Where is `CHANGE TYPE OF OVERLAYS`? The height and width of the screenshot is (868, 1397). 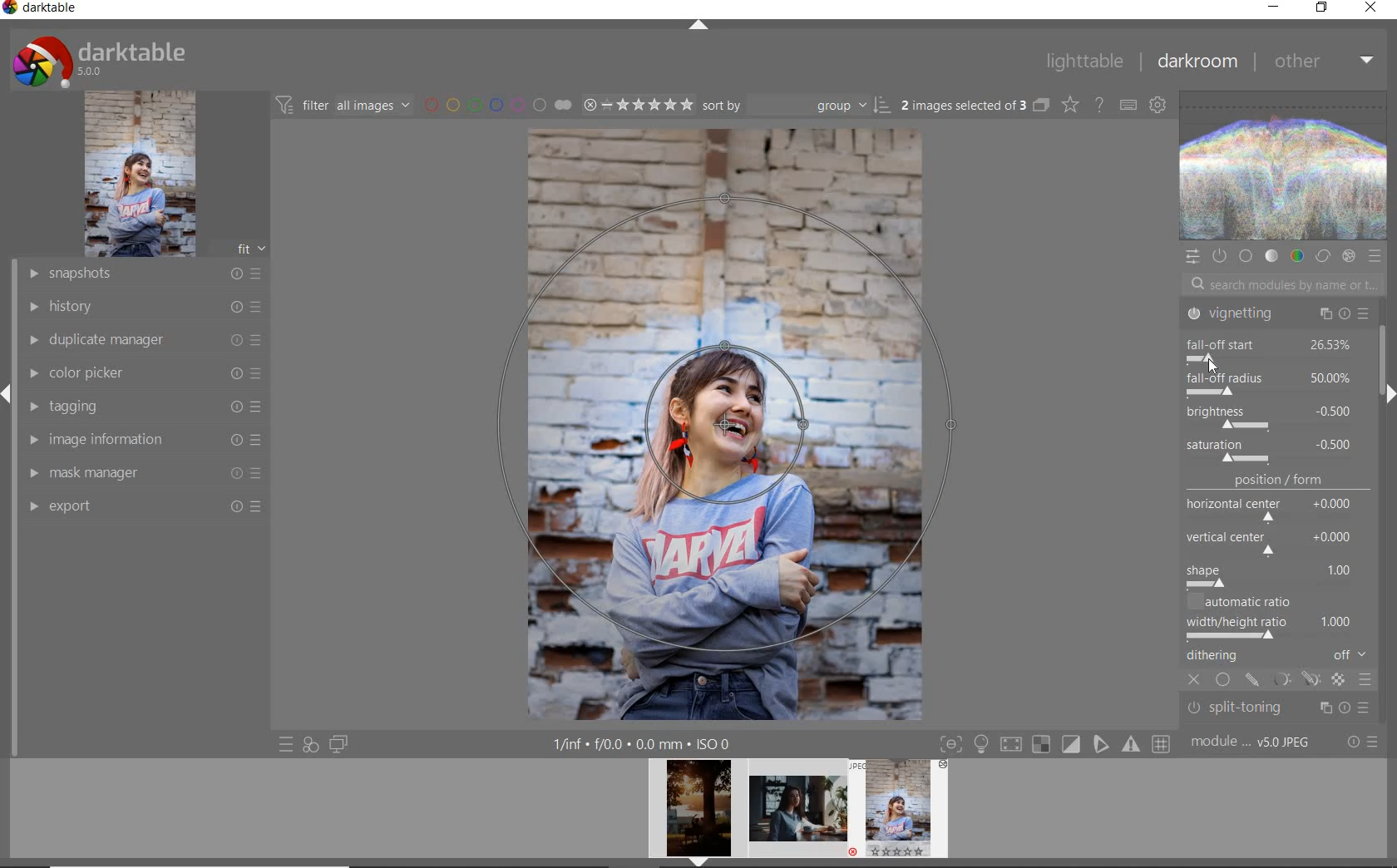
CHANGE TYPE OF OVERLAYS is located at coordinates (1069, 104).